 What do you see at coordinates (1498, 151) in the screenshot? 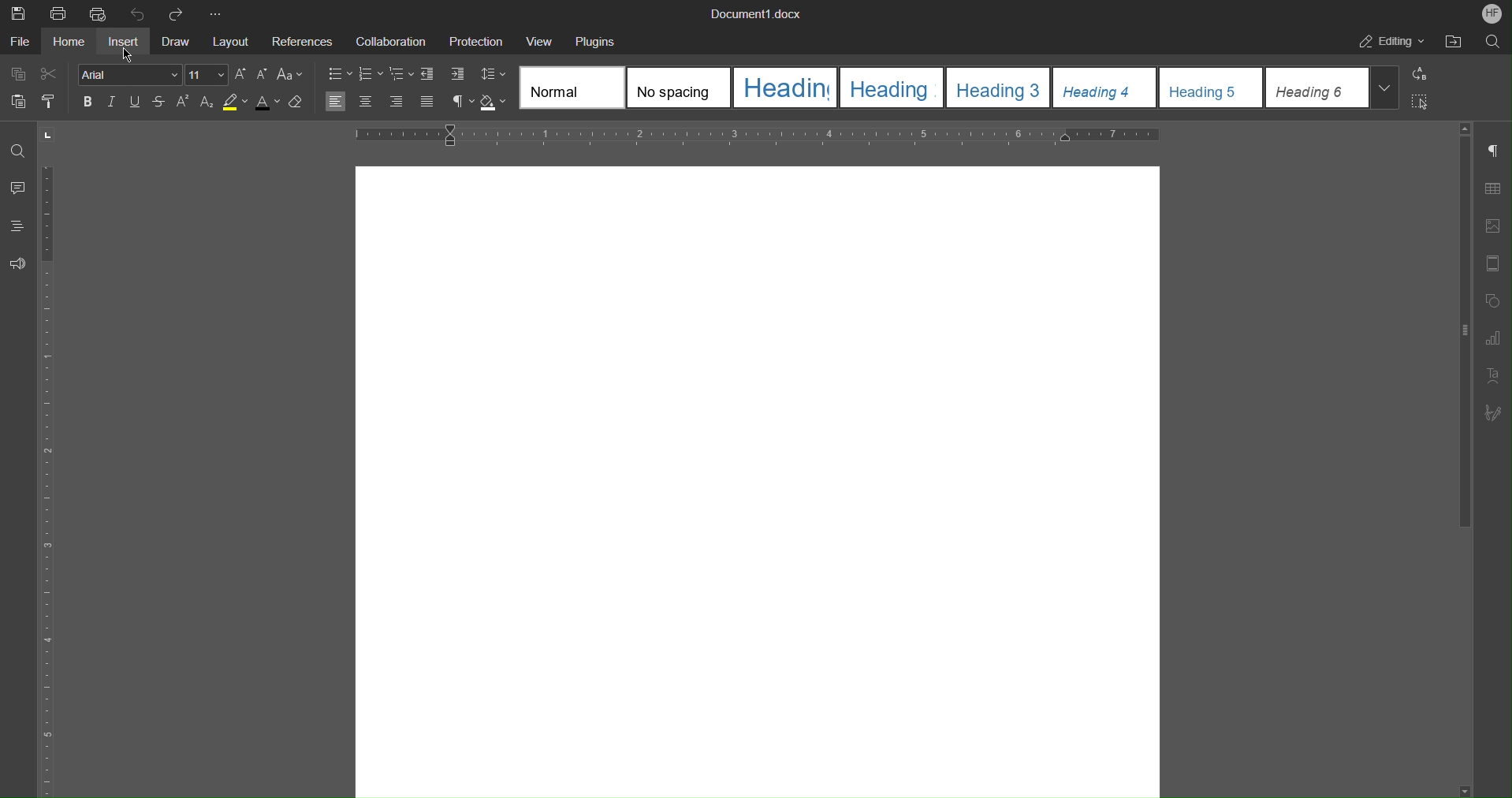
I see `Paragraph Settings` at bounding box center [1498, 151].